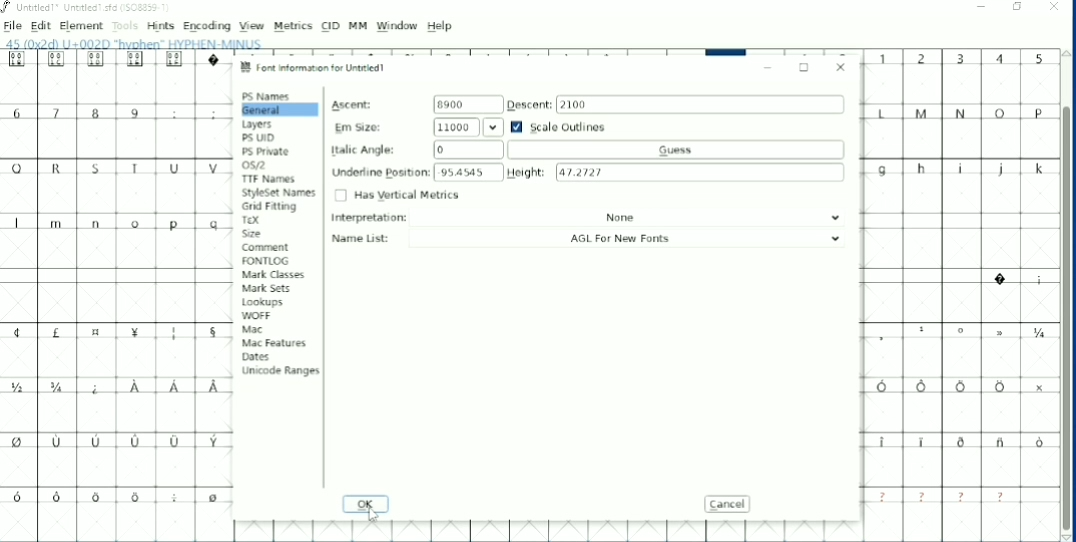 The image size is (1076, 542). Describe the element at coordinates (262, 303) in the screenshot. I see `Lookups` at that location.